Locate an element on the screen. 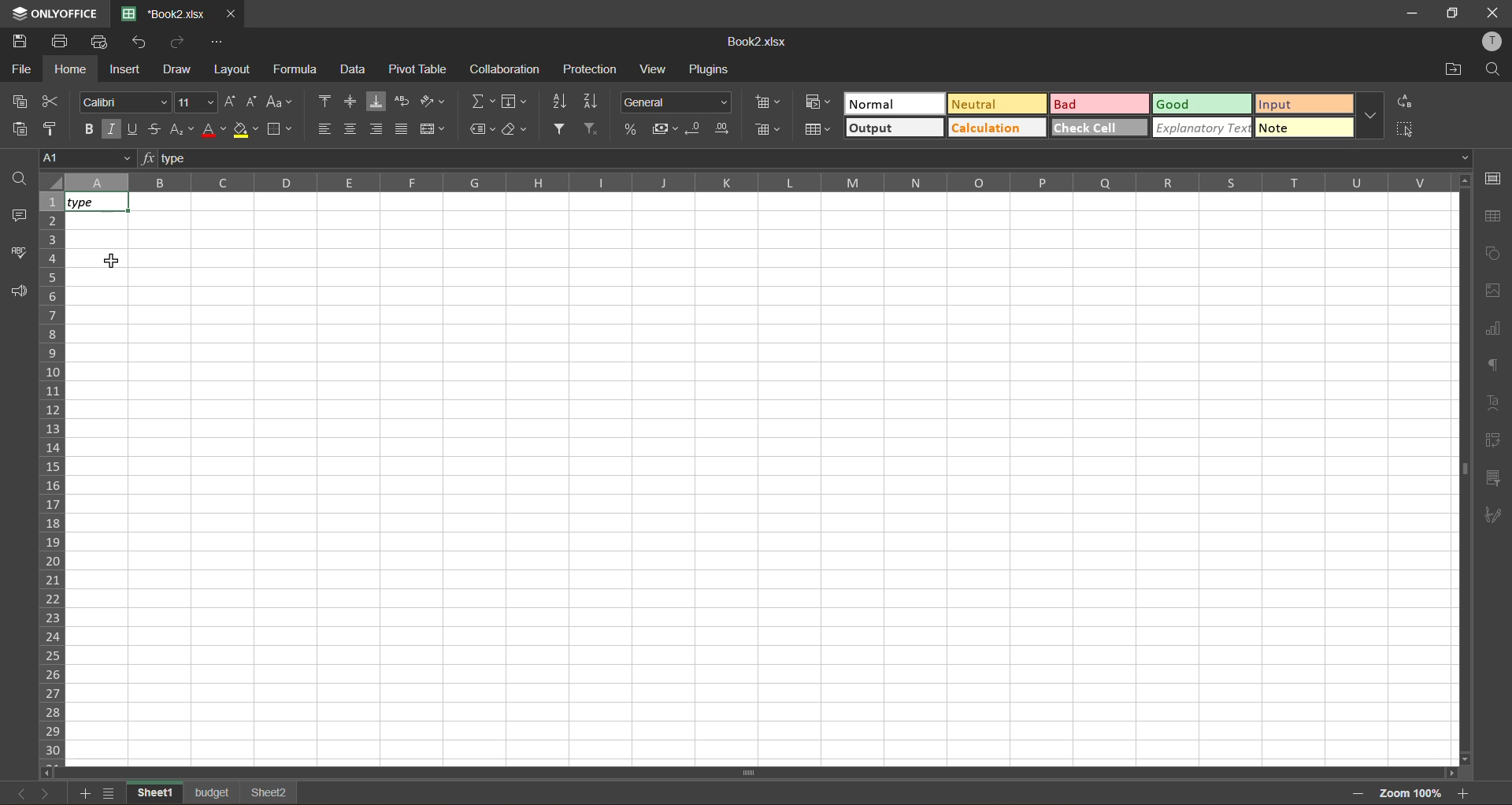 The width and height of the screenshot is (1512, 805). sheet names is located at coordinates (216, 792).